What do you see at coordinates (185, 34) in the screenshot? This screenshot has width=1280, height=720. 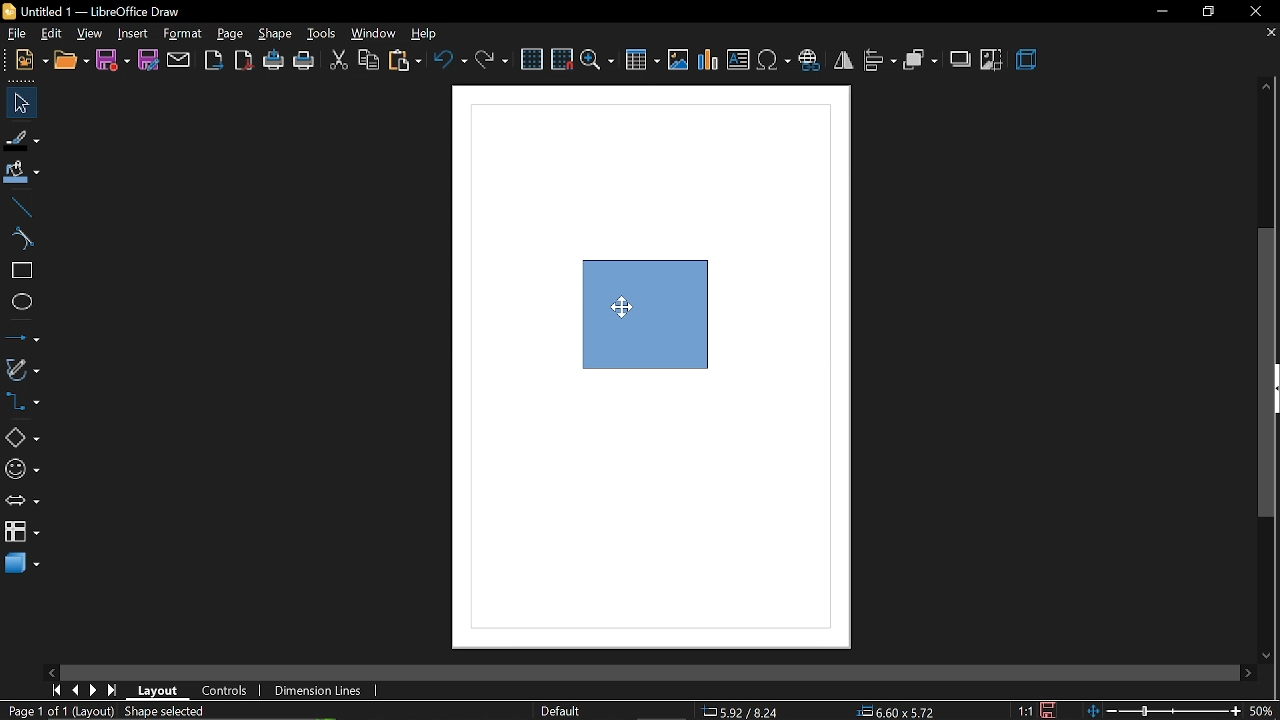 I see `Format` at bounding box center [185, 34].